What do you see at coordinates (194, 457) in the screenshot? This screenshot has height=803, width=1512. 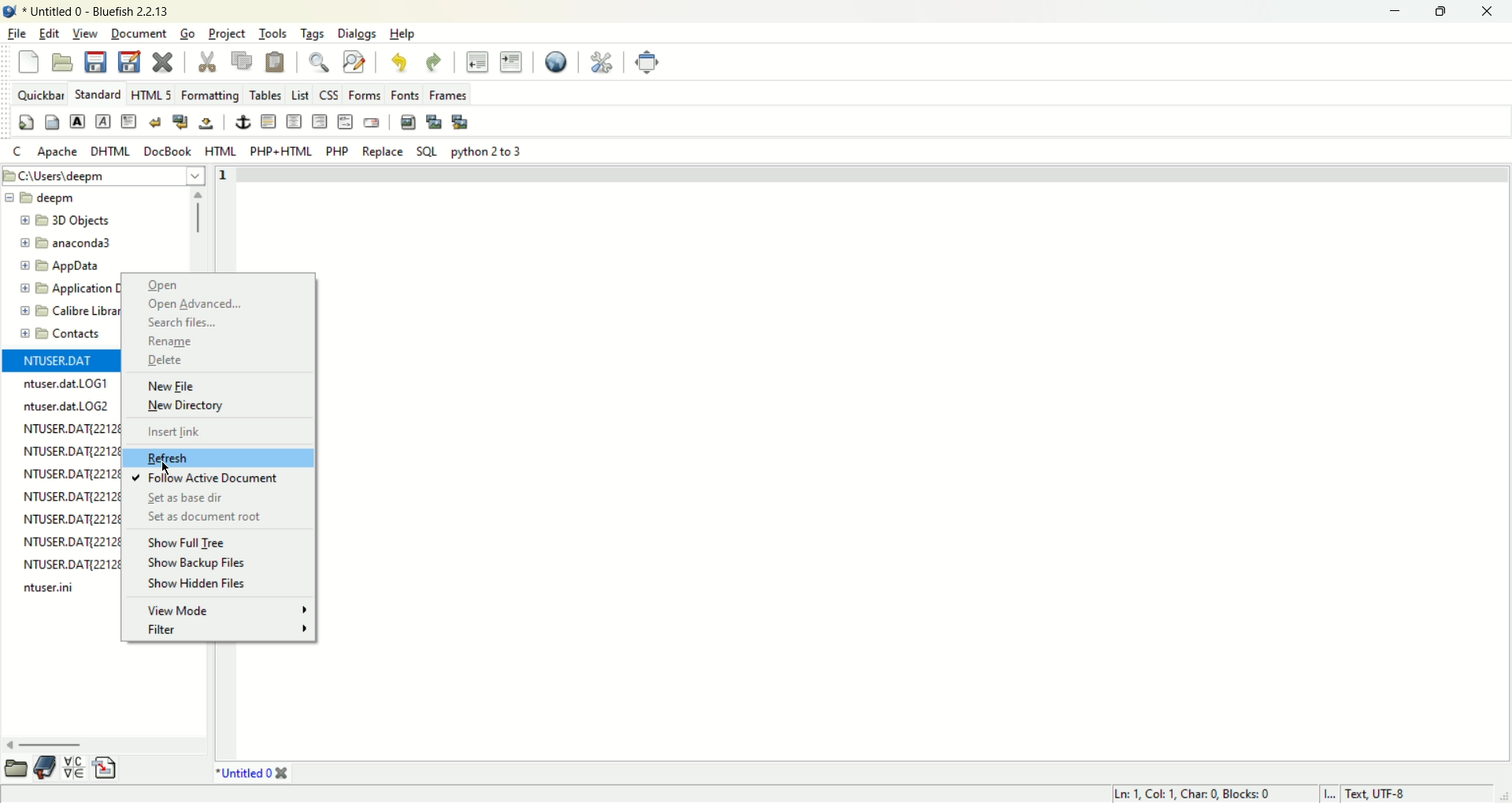 I see `refresh` at bounding box center [194, 457].